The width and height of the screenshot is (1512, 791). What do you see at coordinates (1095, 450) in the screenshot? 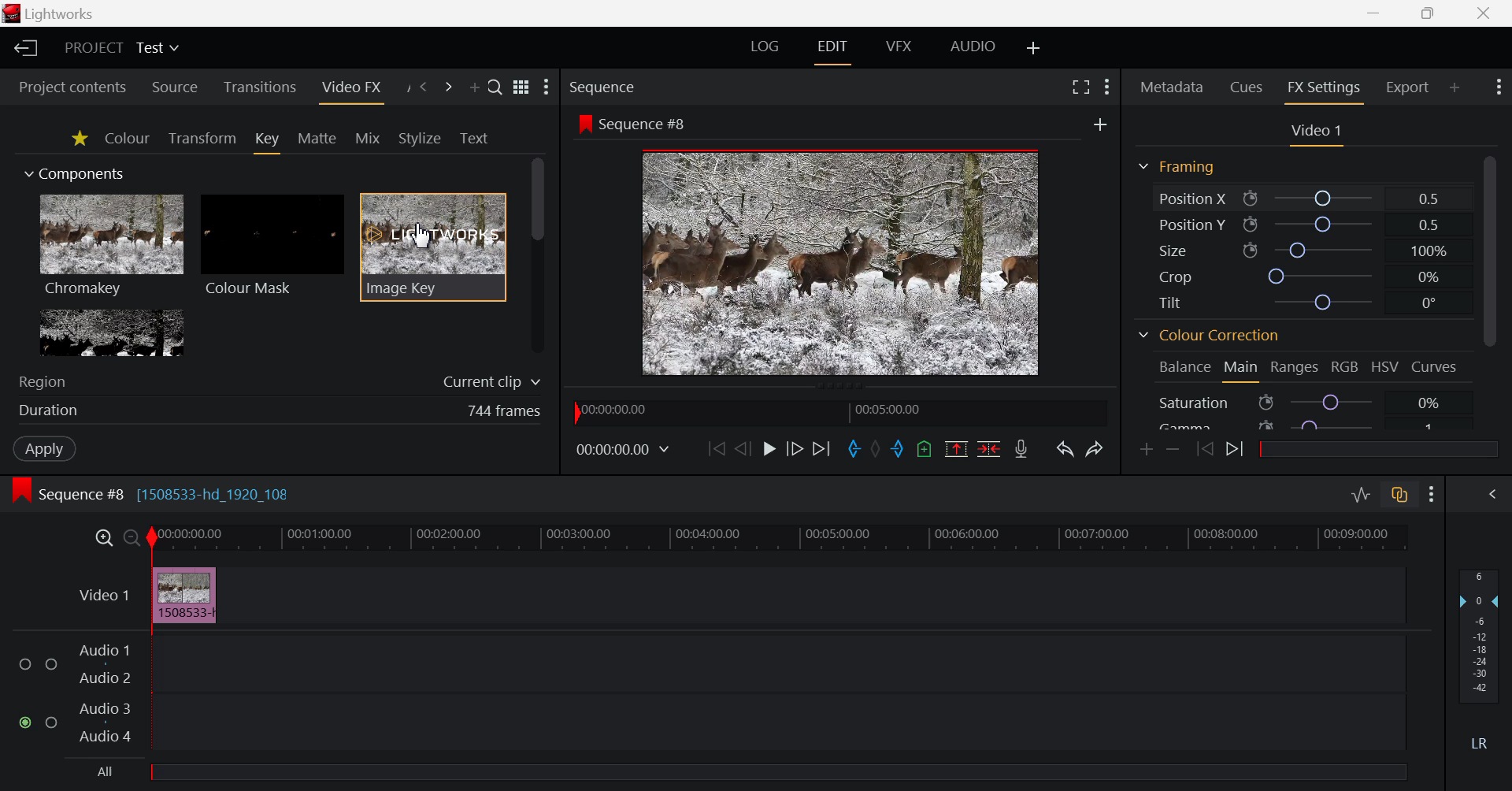
I see `Redo` at bounding box center [1095, 450].